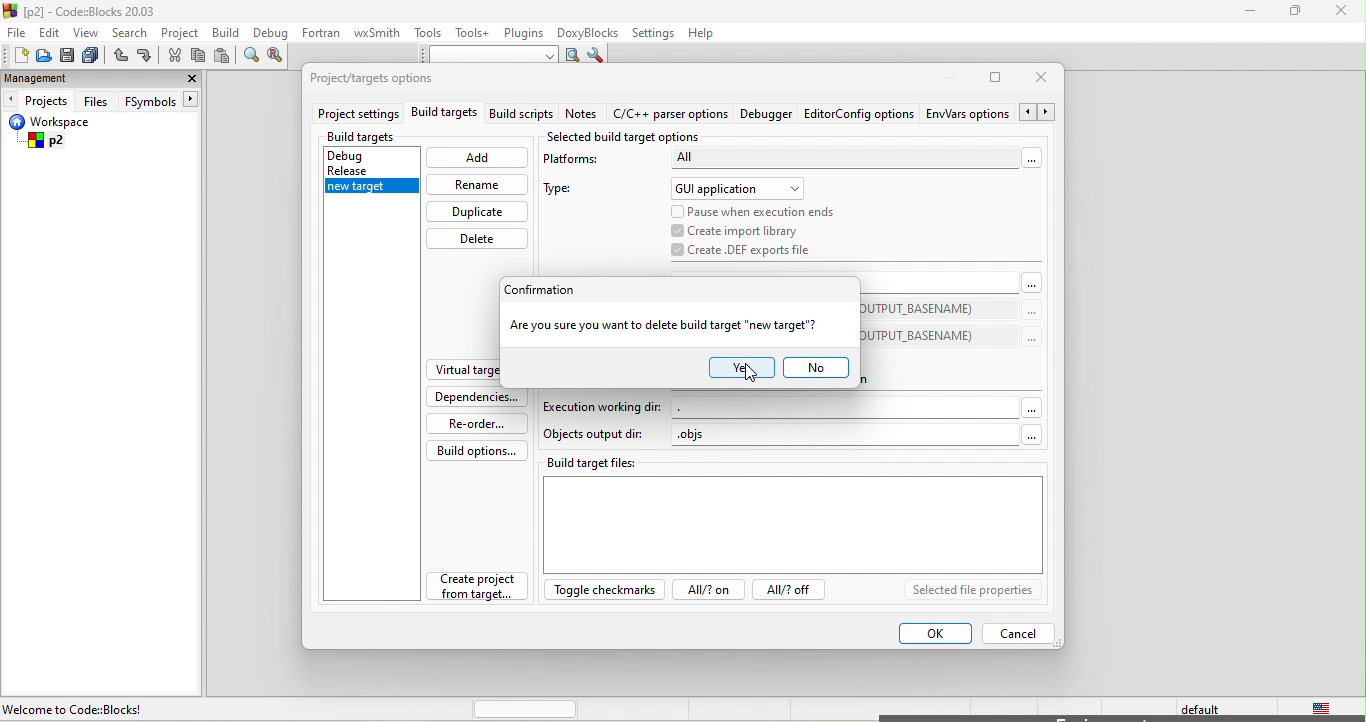  I want to click on maximize, so click(998, 77).